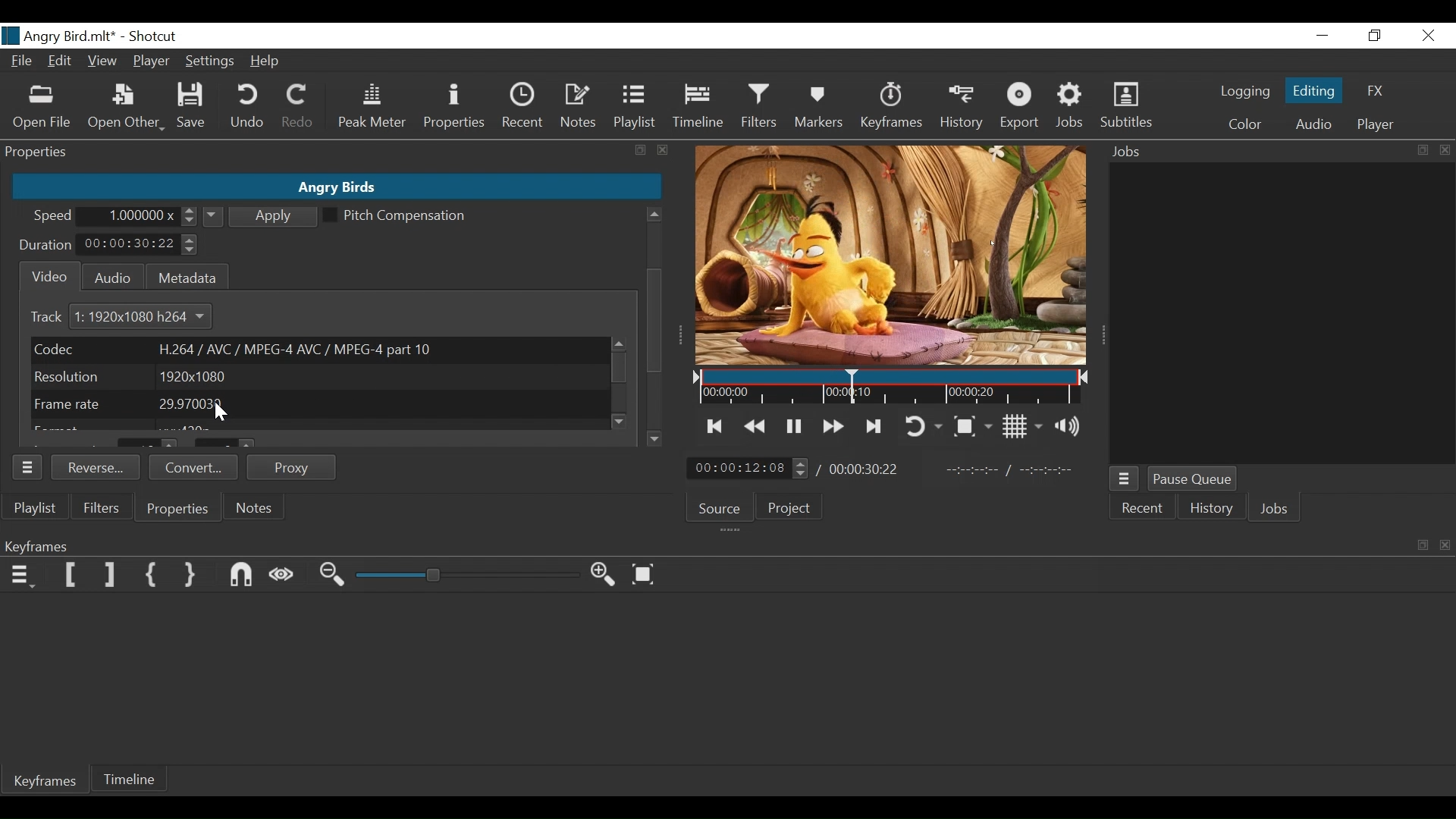  I want to click on Color, so click(1245, 124).